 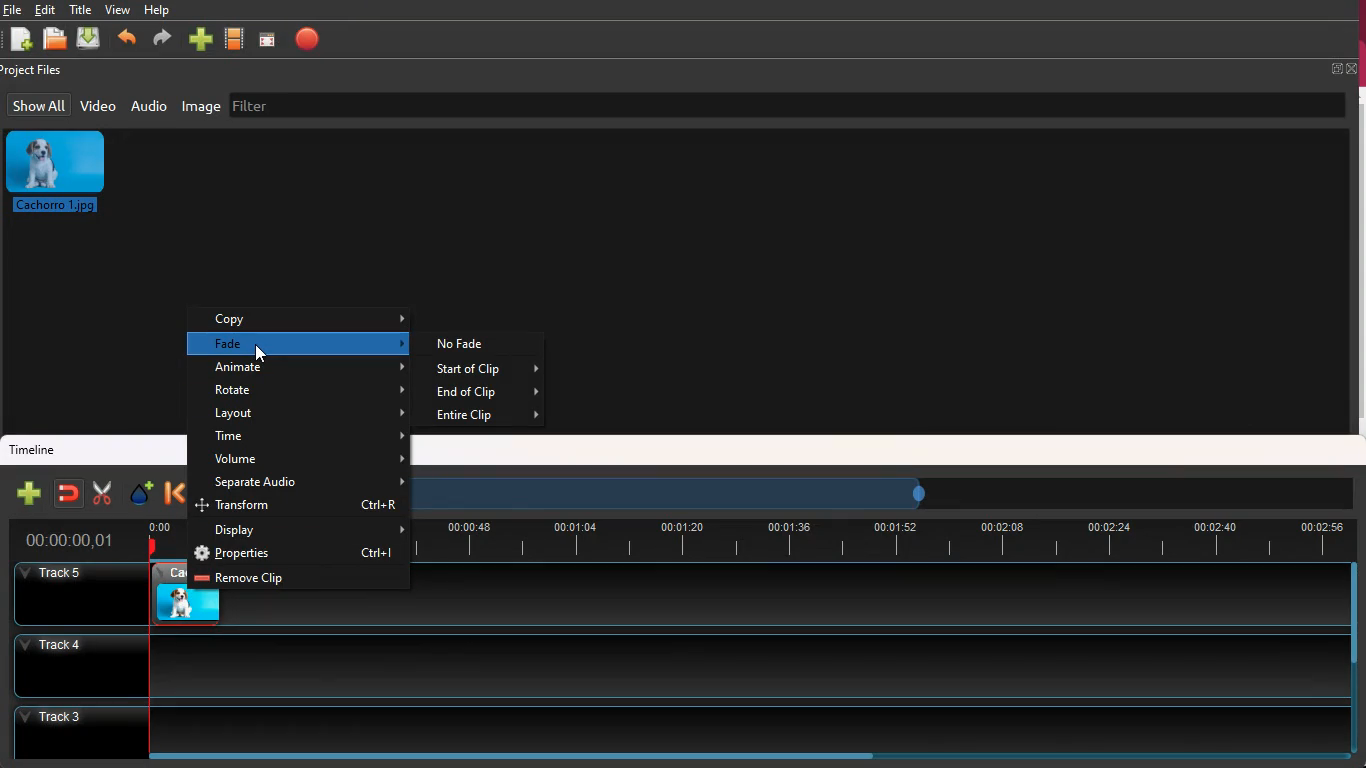 What do you see at coordinates (70, 493) in the screenshot?
I see `join` at bounding box center [70, 493].